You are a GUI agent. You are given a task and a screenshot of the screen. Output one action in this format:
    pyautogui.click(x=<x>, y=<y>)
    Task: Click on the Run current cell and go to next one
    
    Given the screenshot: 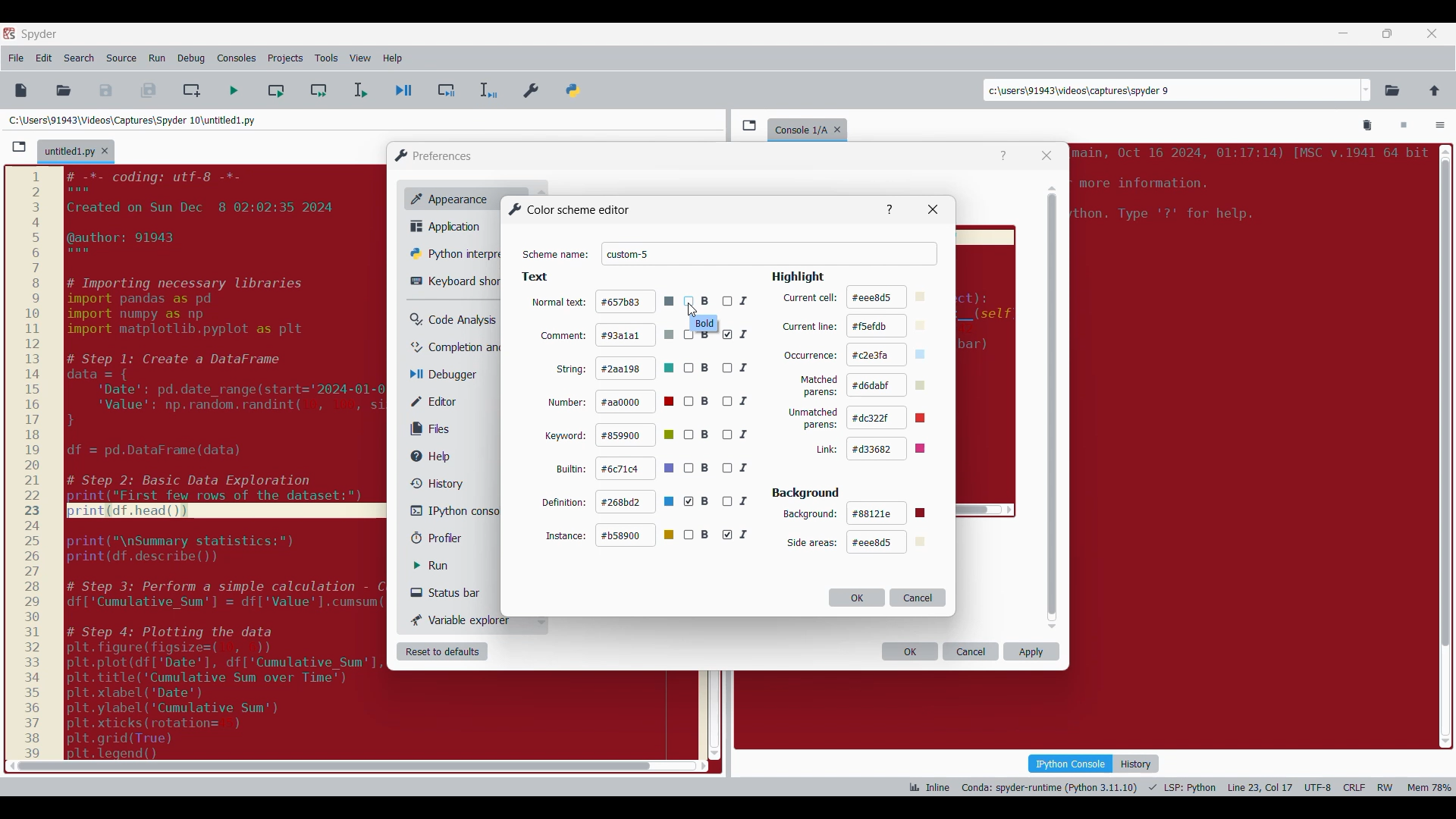 What is the action you would take?
    pyautogui.click(x=318, y=90)
    